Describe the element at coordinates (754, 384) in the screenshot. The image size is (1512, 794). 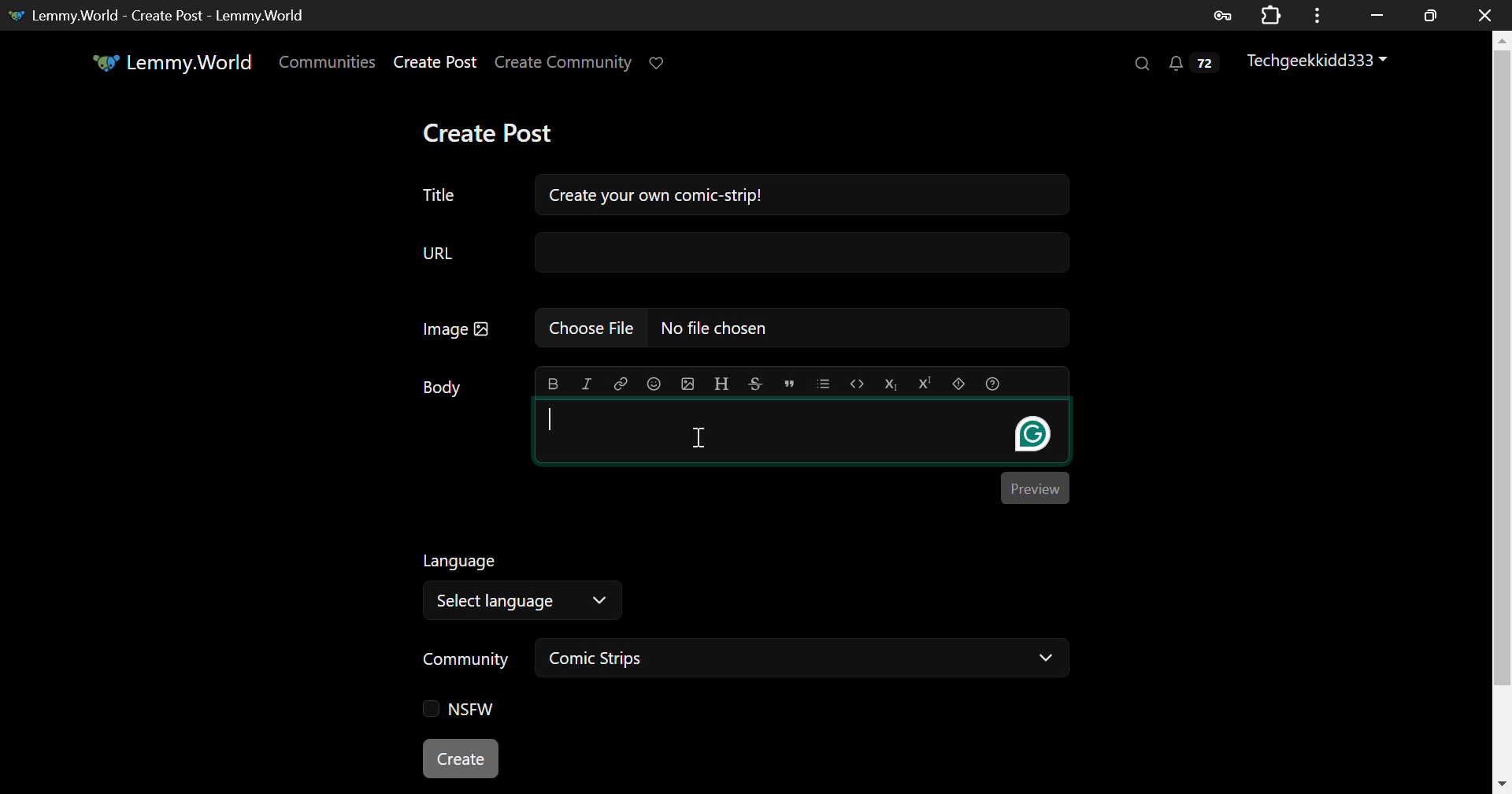
I see `Strikethrough` at that location.